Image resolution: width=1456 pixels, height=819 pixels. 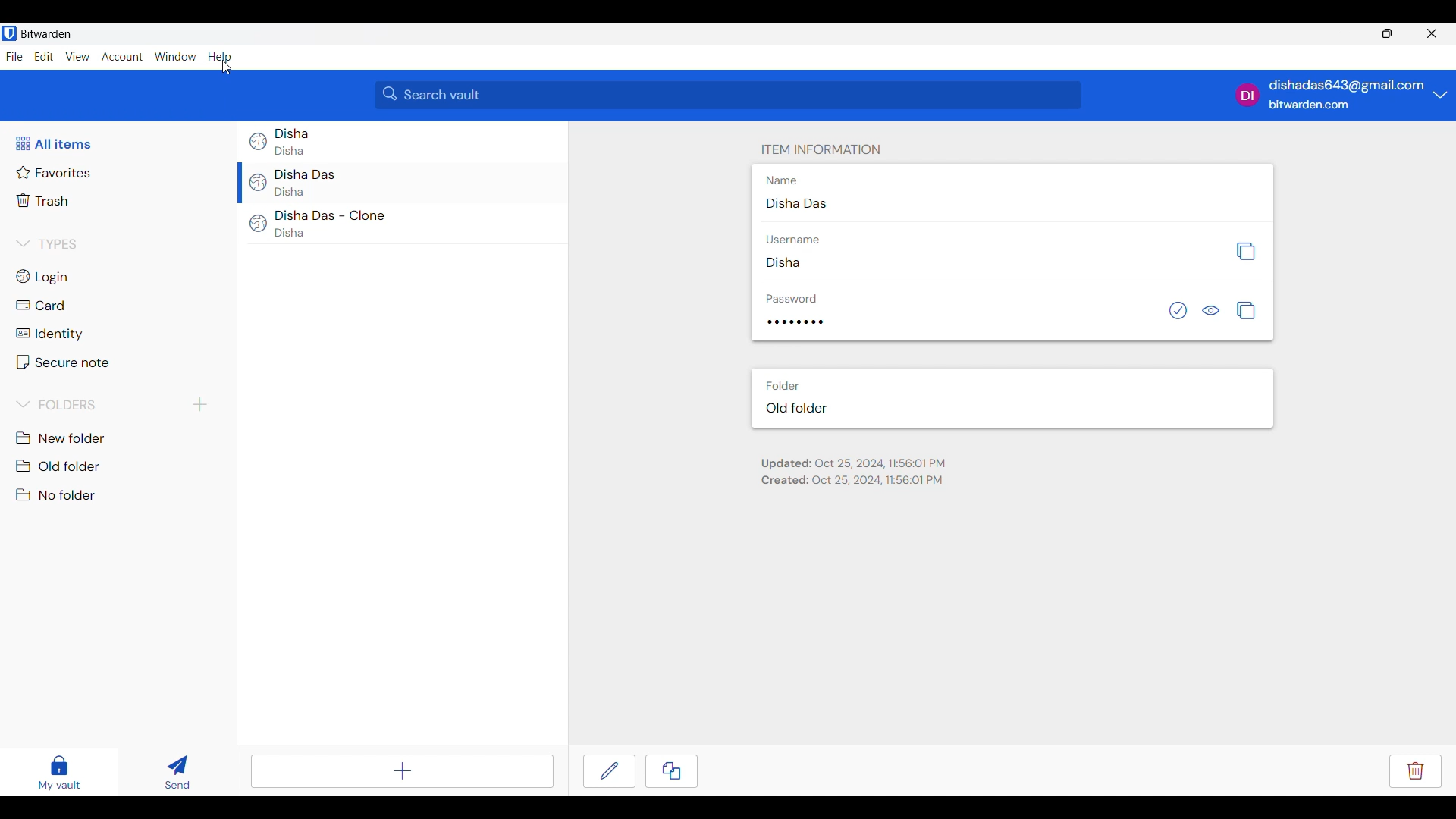 What do you see at coordinates (259, 183) in the screenshot?
I see `Item logo` at bounding box center [259, 183].